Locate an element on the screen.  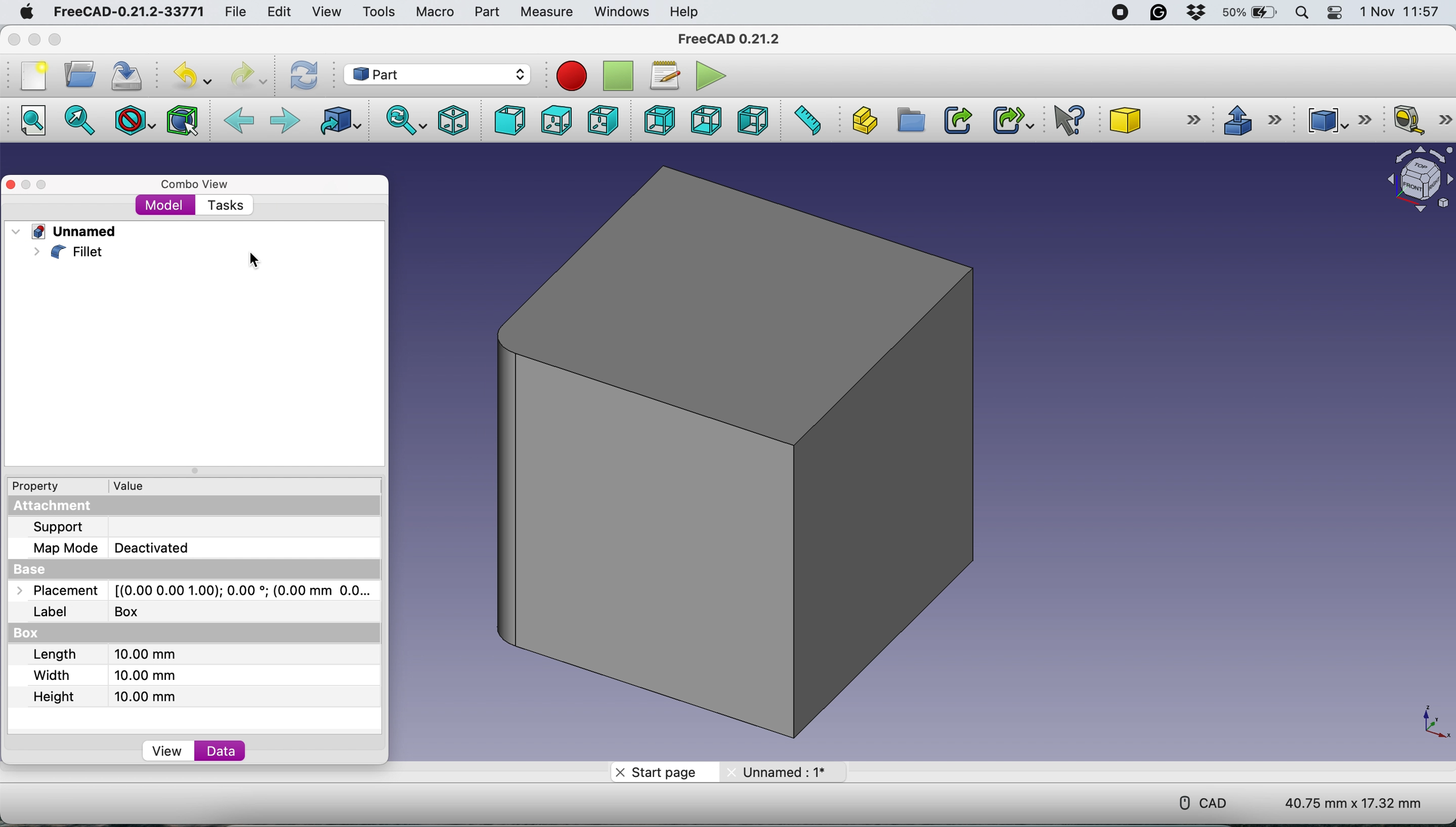
draw style is located at coordinates (135, 123).